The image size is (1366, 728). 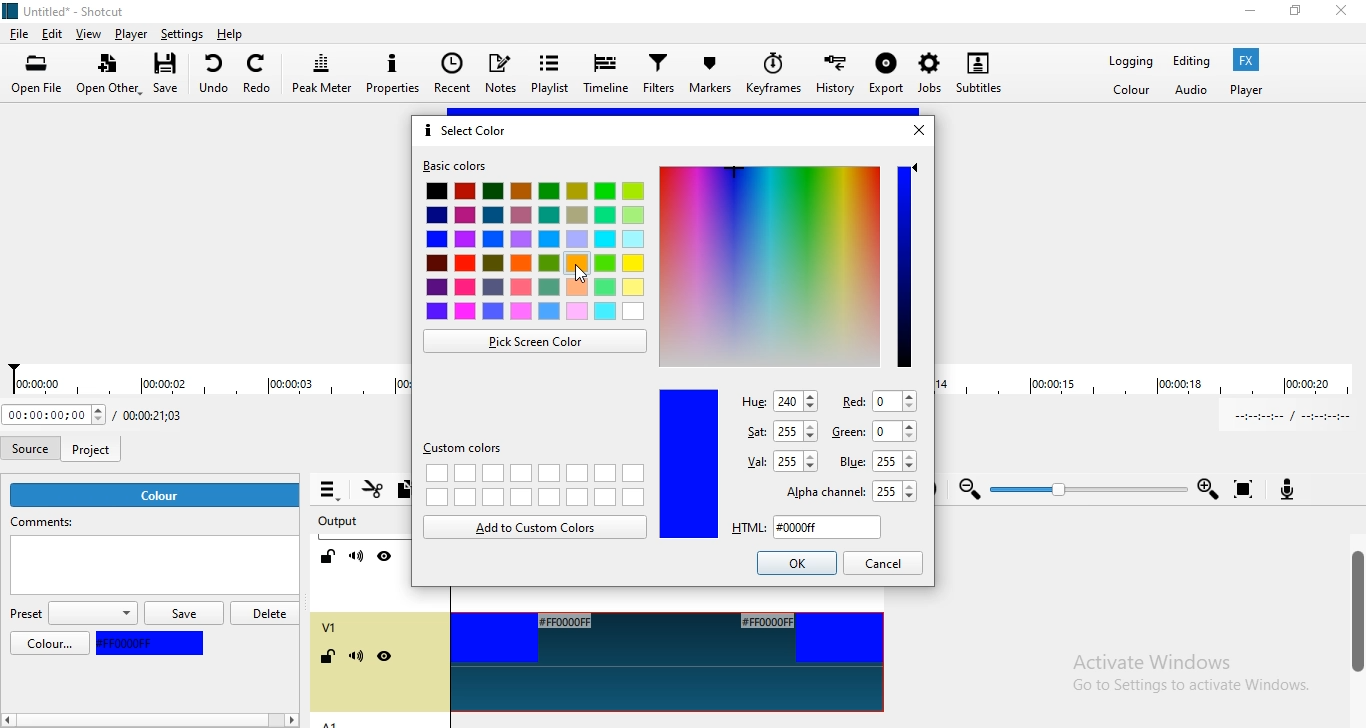 I want to click on Redo, so click(x=260, y=71).